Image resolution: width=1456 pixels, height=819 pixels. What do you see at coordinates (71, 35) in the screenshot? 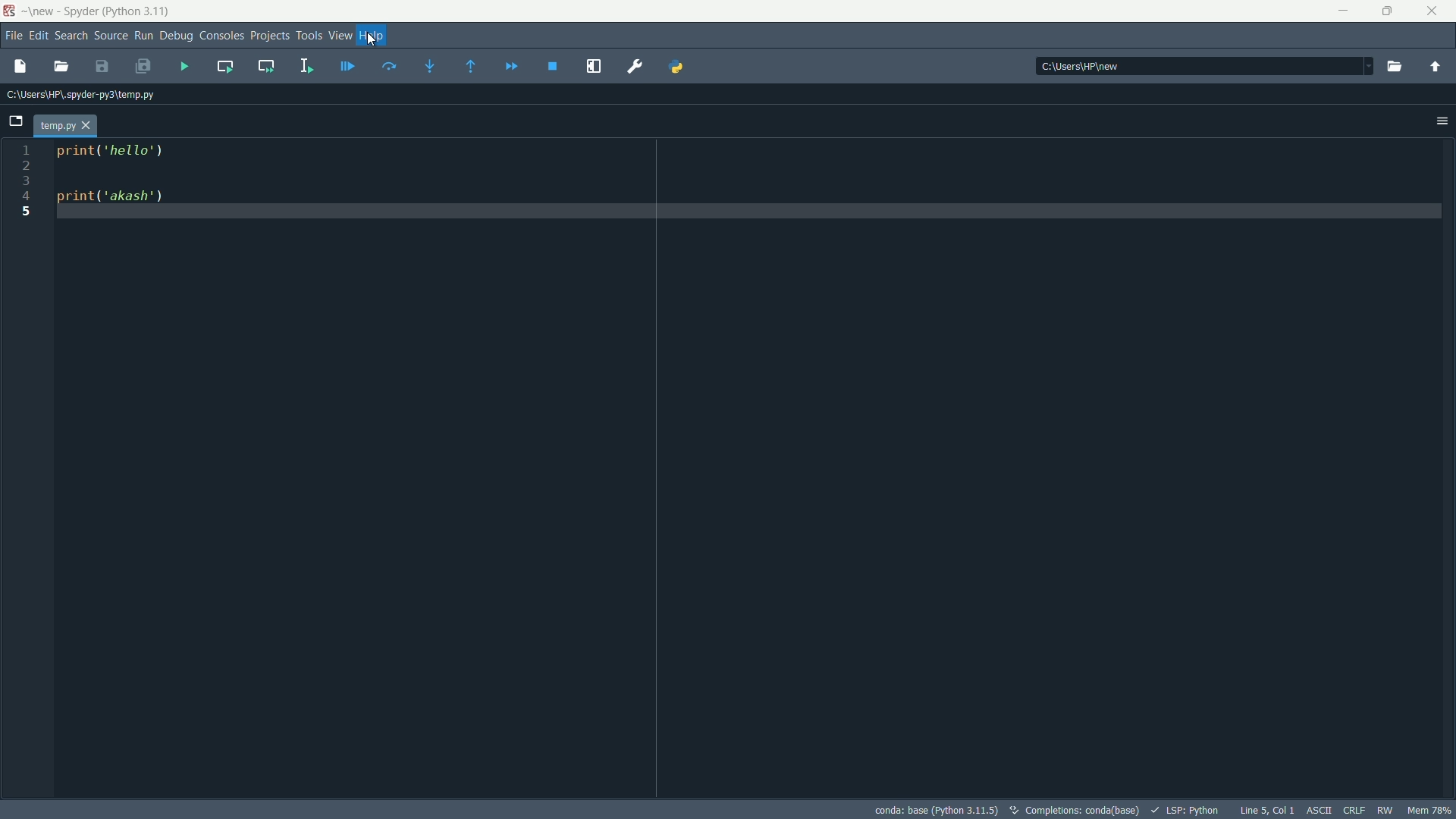
I see `seach menu` at bounding box center [71, 35].